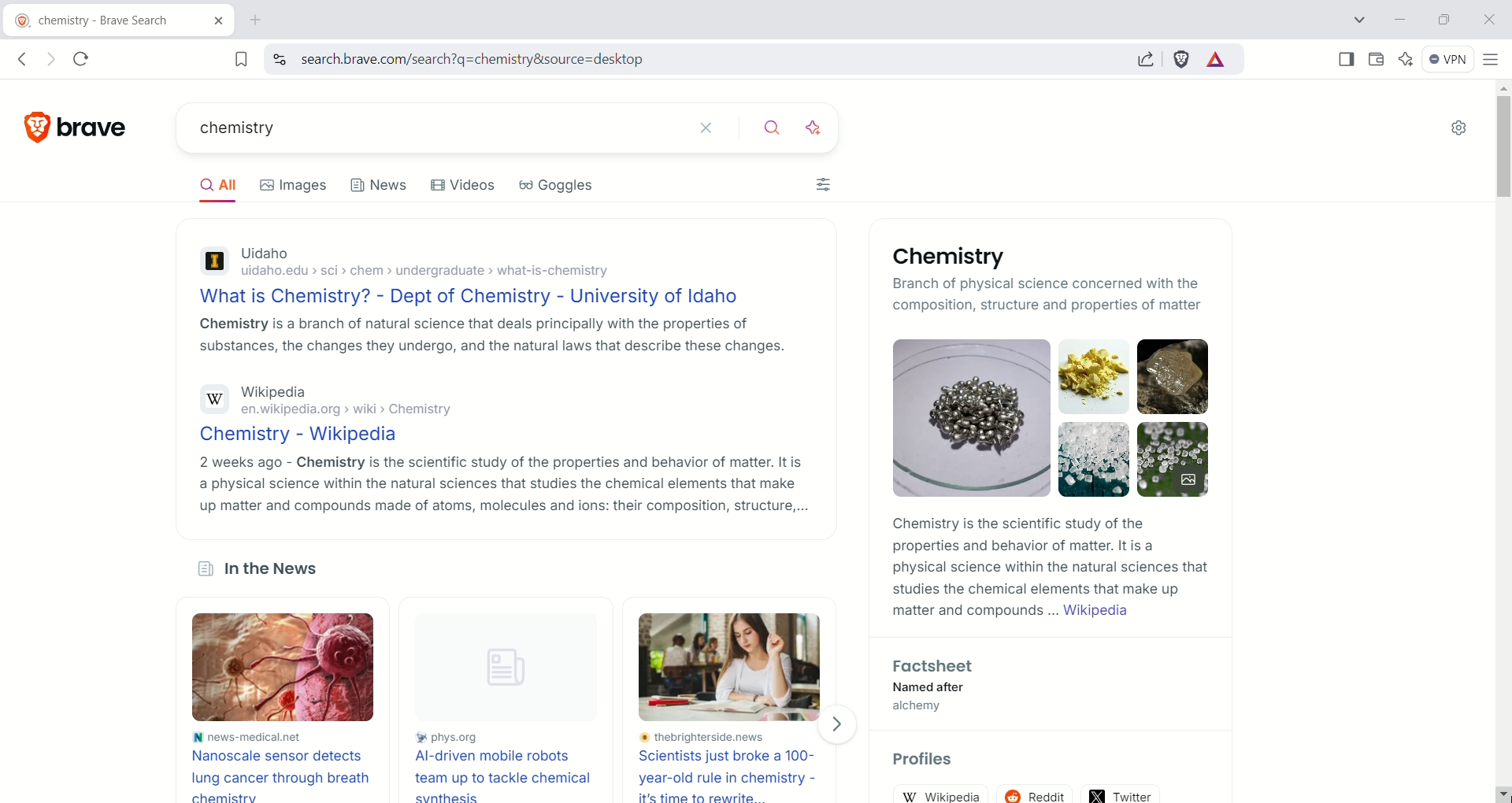  I want to click on view site information, so click(279, 59).